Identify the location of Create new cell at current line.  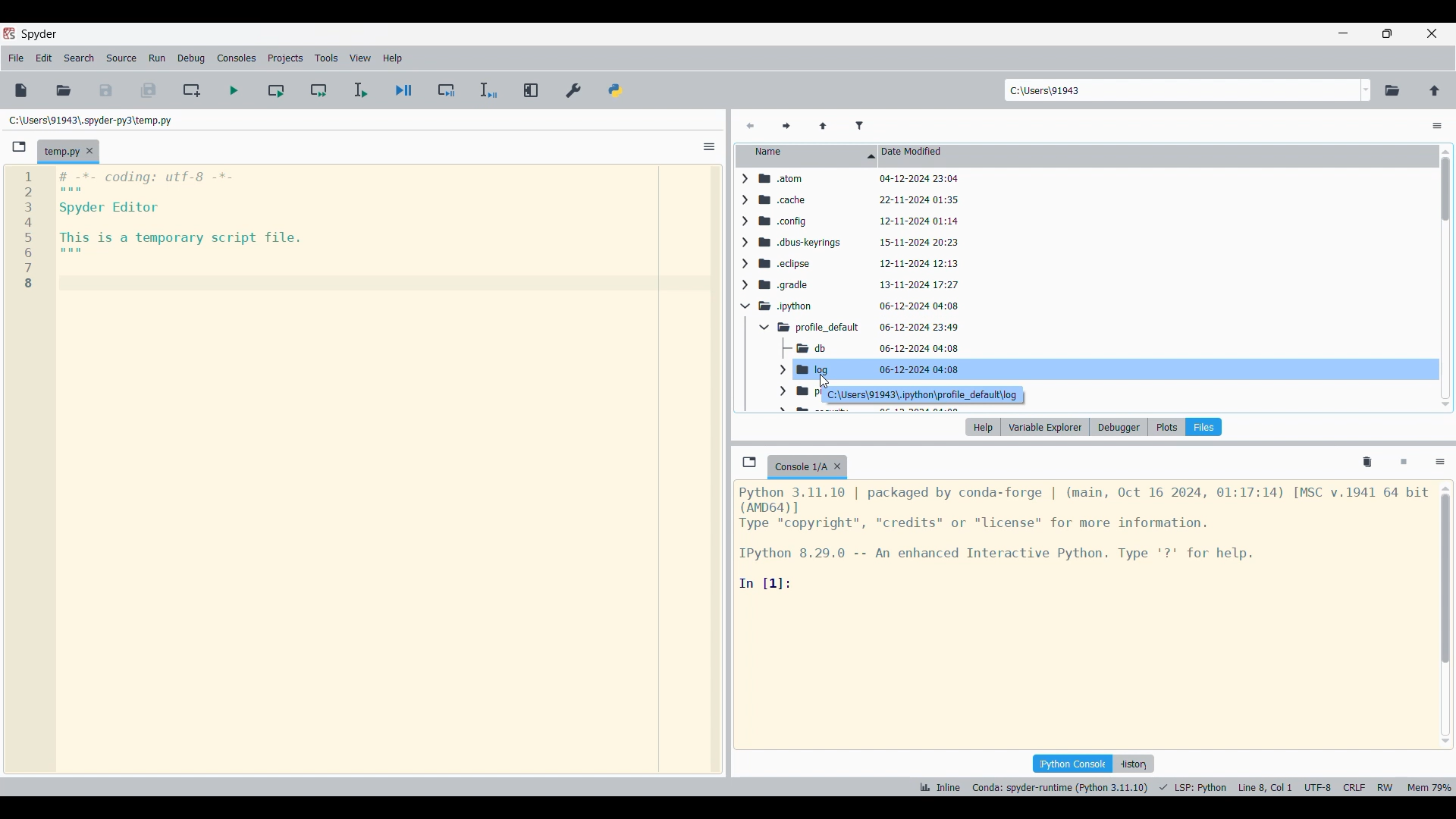
(190, 90).